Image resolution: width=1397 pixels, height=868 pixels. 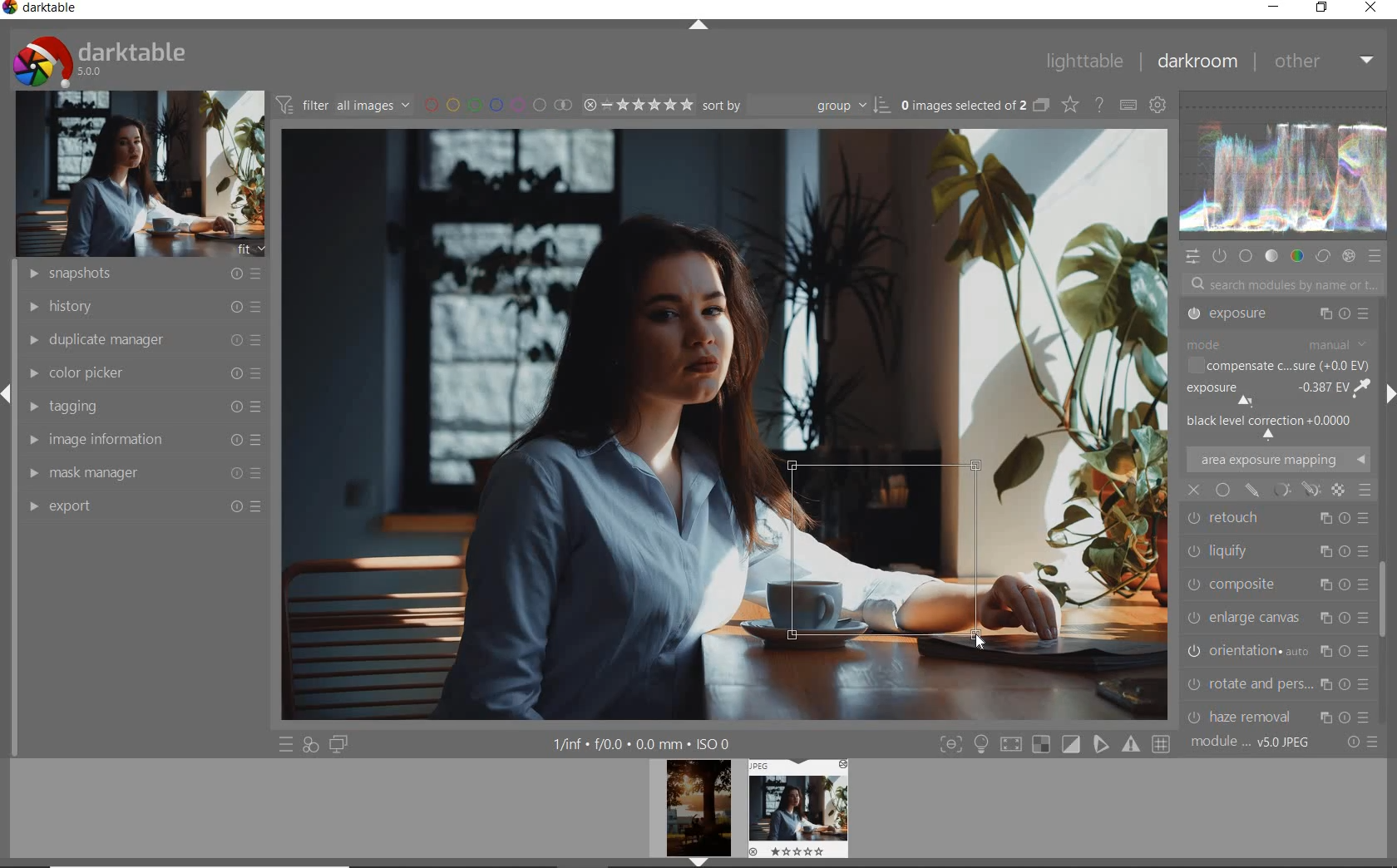 What do you see at coordinates (1294, 489) in the screenshot?
I see `mask options` at bounding box center [1294, 489].